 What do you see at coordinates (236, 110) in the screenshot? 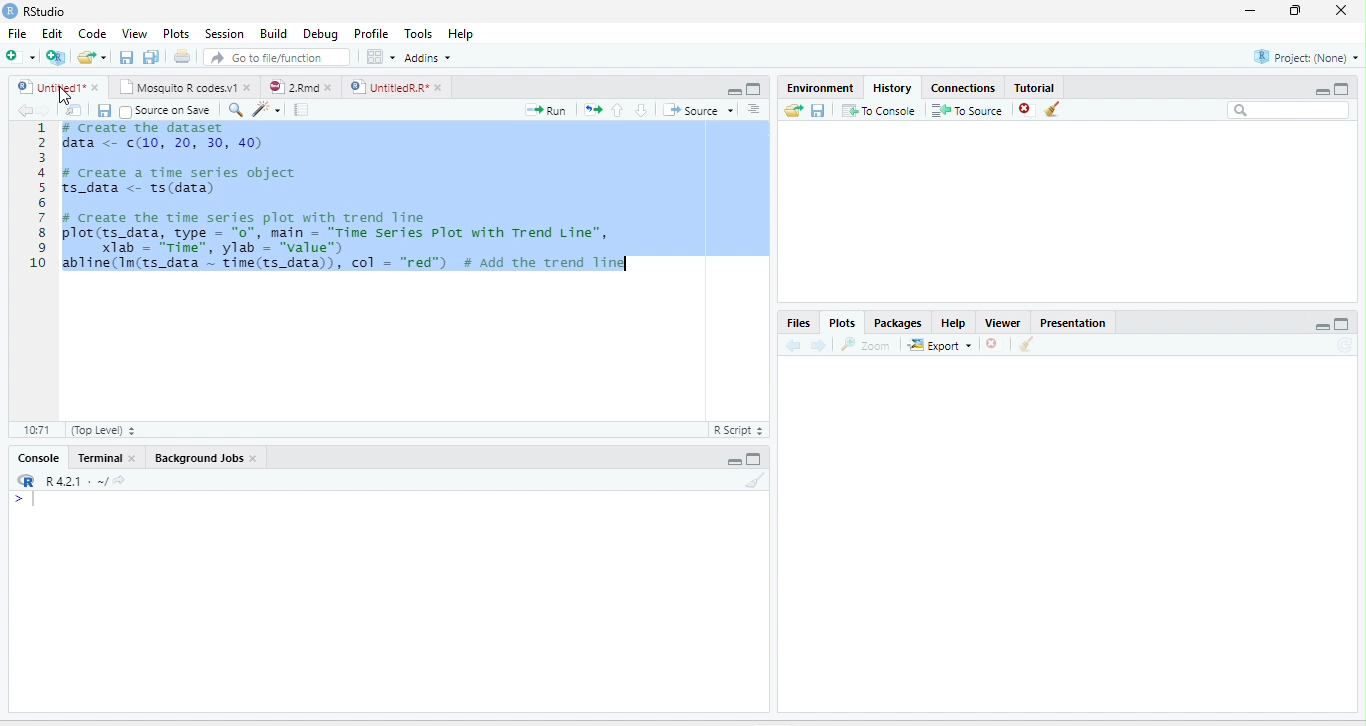
I see `Find/Replace` at bounding box center [236, 110].